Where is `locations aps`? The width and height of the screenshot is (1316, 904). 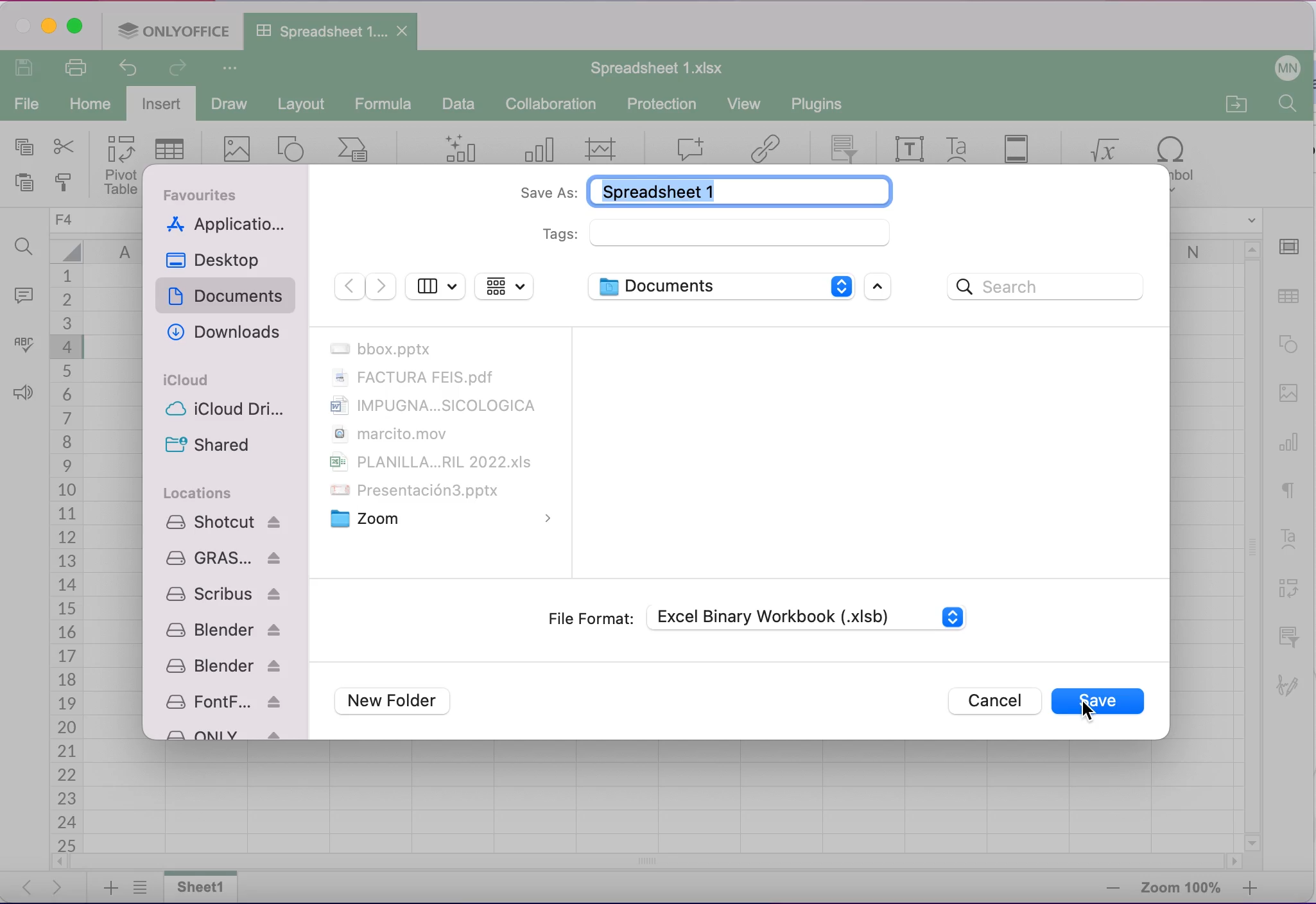
locations aps is located at coordinates (225, 625).